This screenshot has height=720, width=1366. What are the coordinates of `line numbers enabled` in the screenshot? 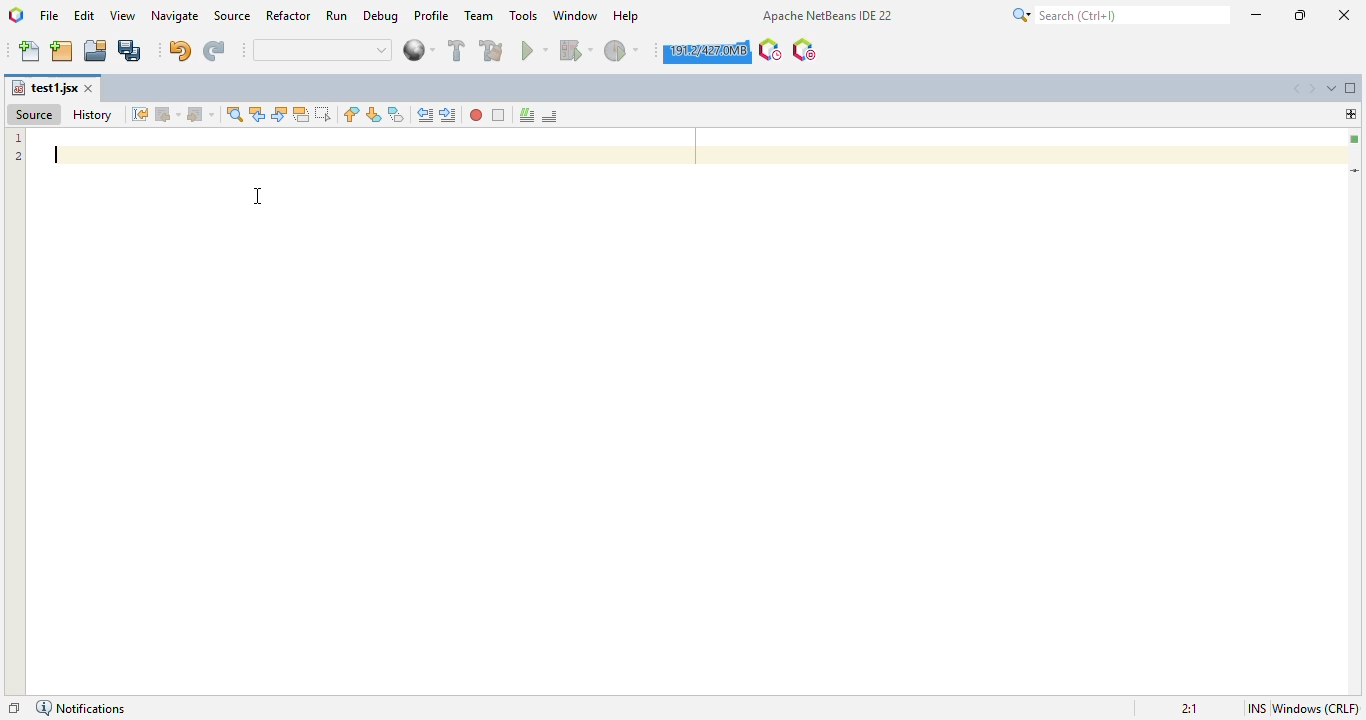 It's located at (18, 147).